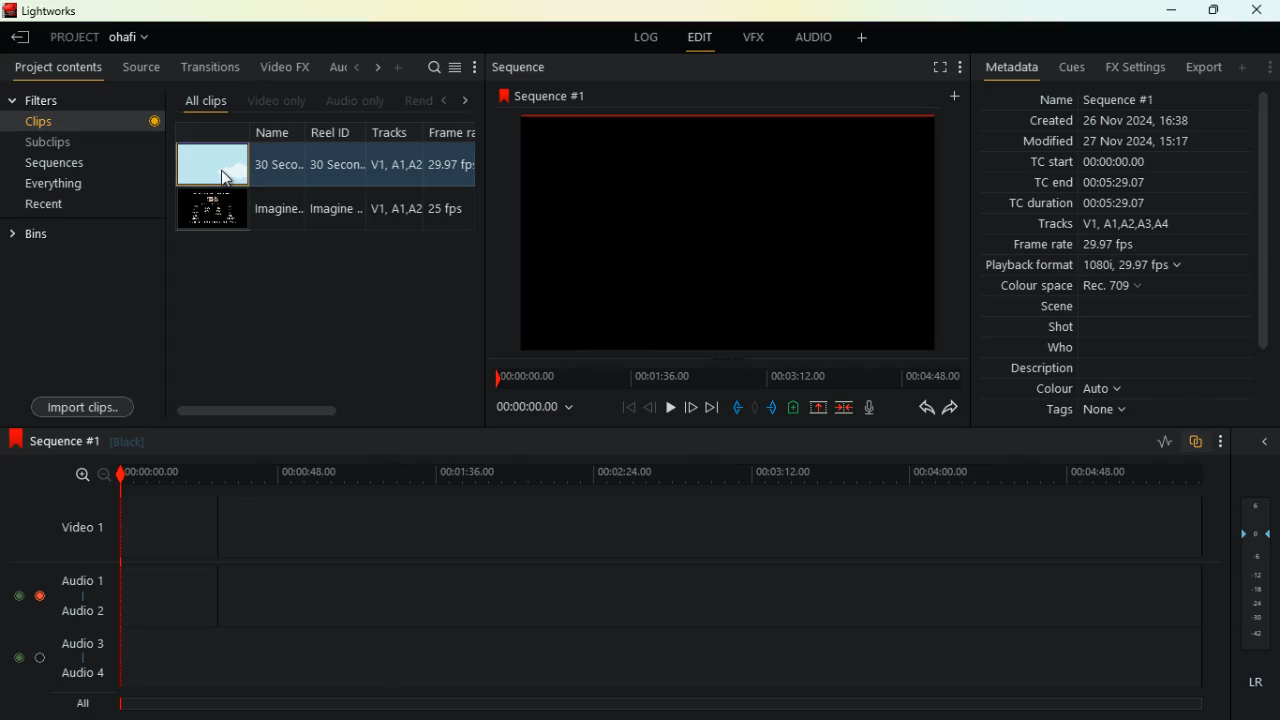 This screenshot has width=1280, height=720. What do you see at coordinates (86, 672) in the screenshot?
I see `audio4` at bounding box center [86, 672].